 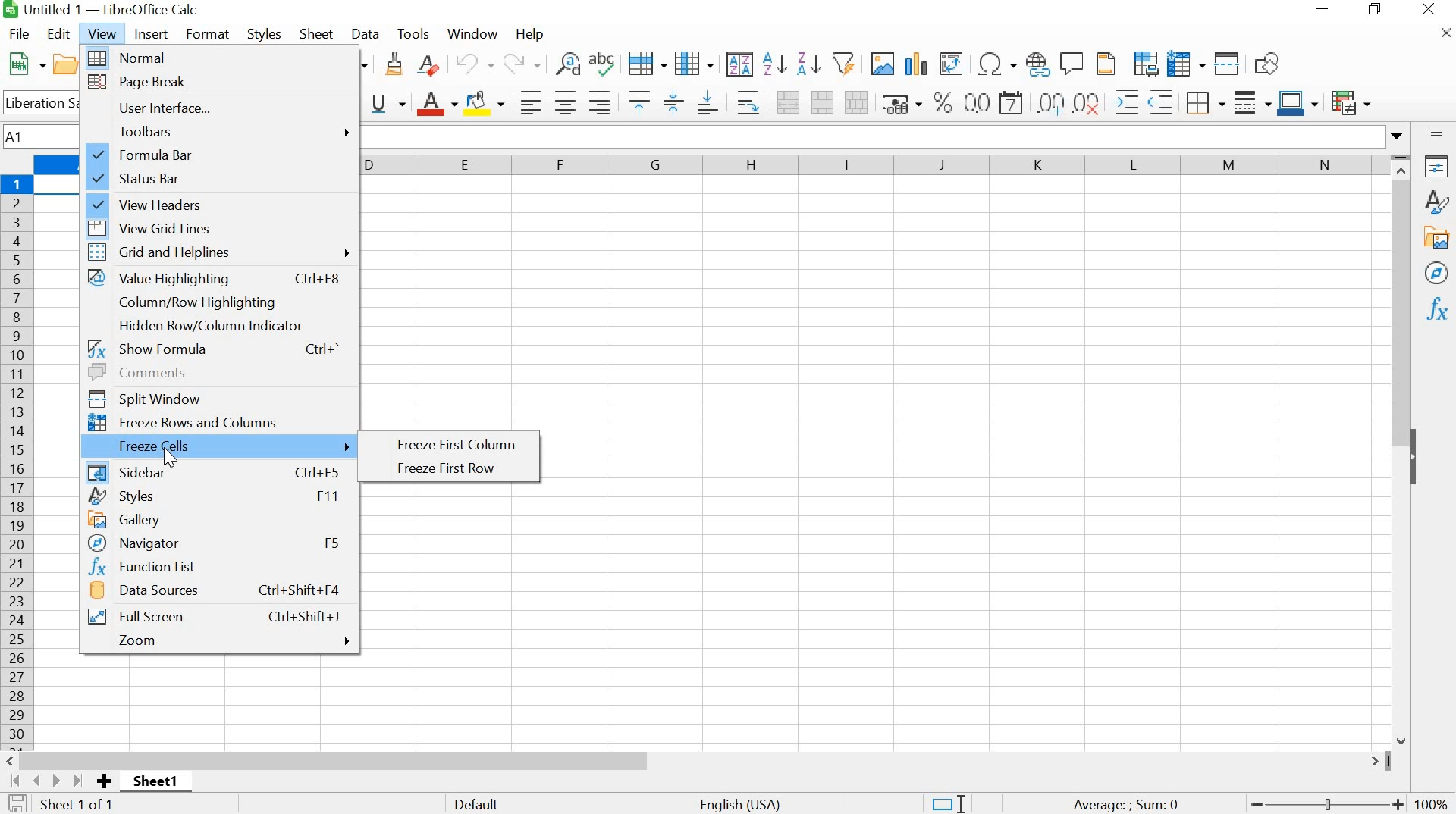 I want to click on INSERT OR EDIT PIVOT TABLE, so click(x=951, y=64).